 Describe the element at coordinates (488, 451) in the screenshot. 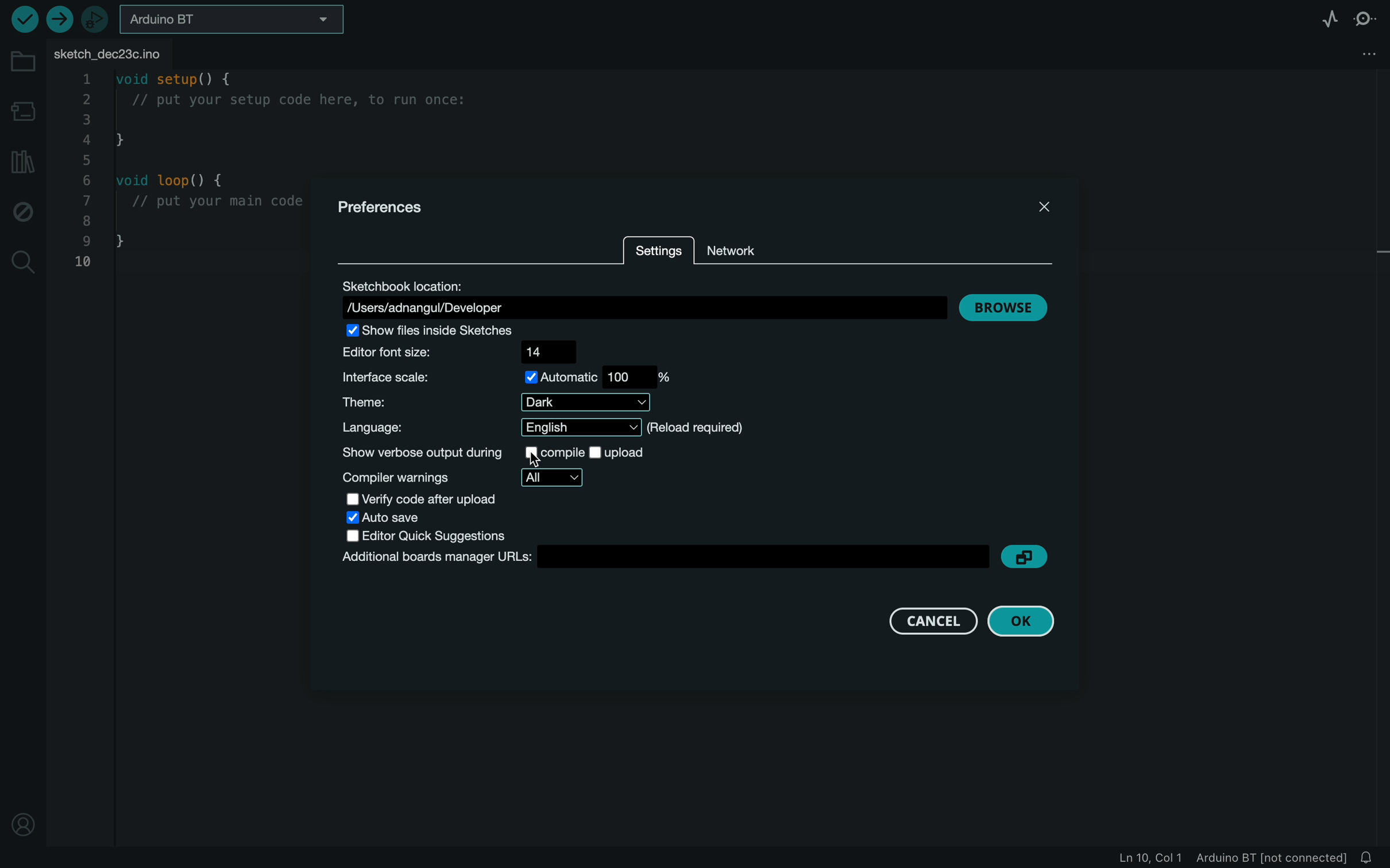

I see `show` at that location.